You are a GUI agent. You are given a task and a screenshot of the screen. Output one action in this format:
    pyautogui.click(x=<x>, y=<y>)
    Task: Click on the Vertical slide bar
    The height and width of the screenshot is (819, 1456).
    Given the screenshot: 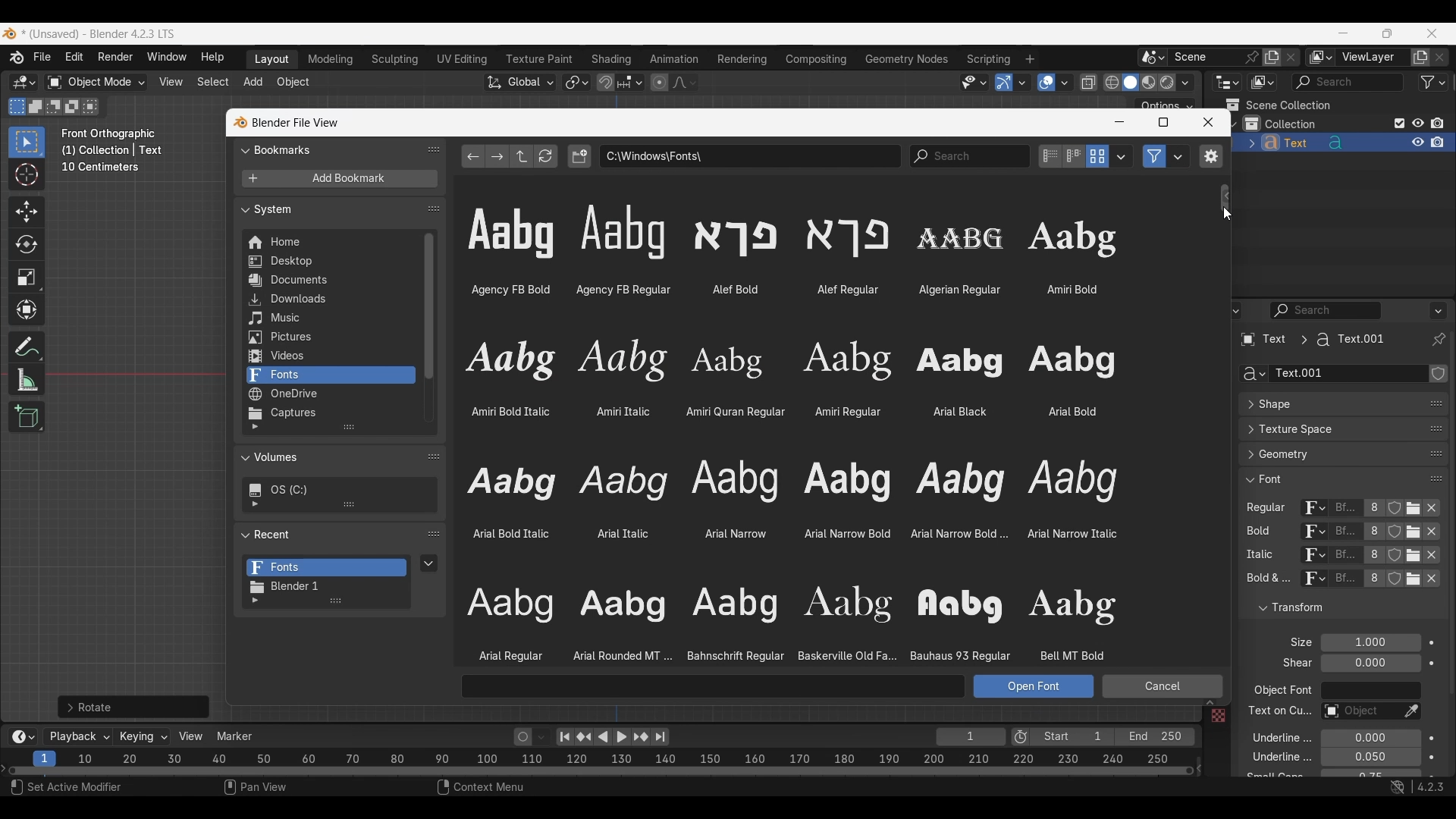 What is the action you would take?
    pyautogui.click(x=429, y=306)
    